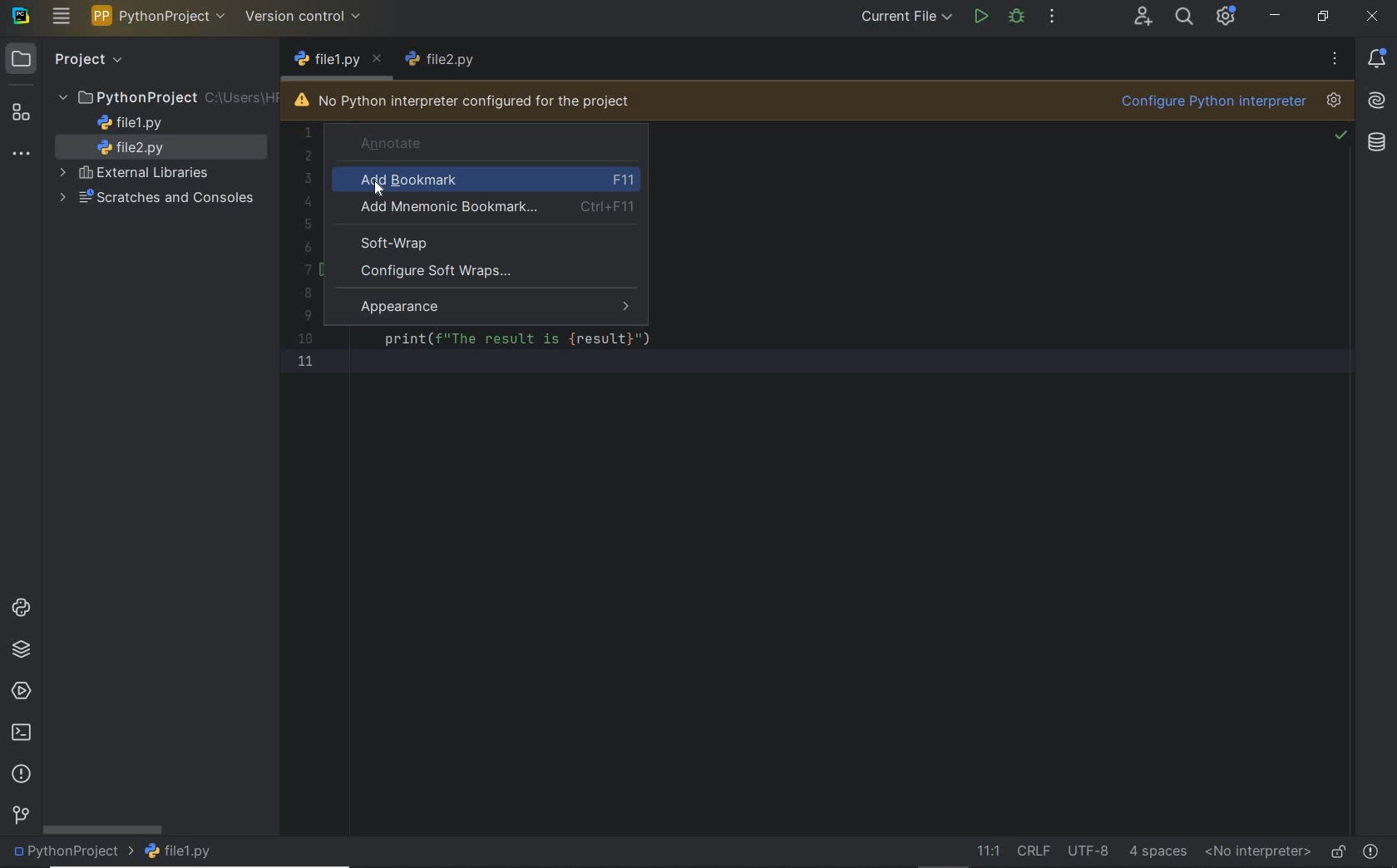  Describe the element at coordinates (906, 16) in the screenshot. I see `current file` at that location.